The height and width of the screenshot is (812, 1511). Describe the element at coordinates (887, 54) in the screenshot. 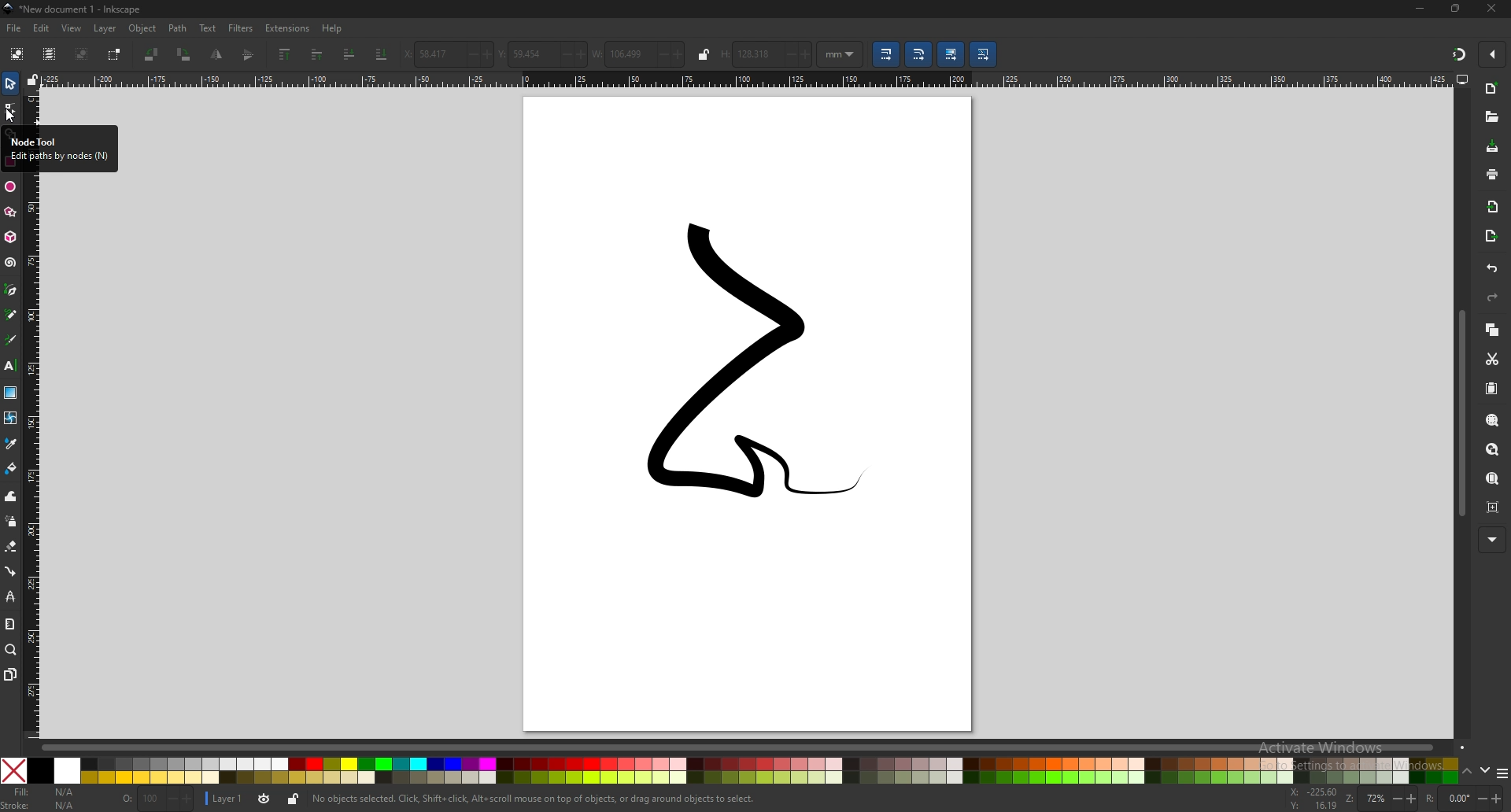

I see `scale stroke width` at that location.